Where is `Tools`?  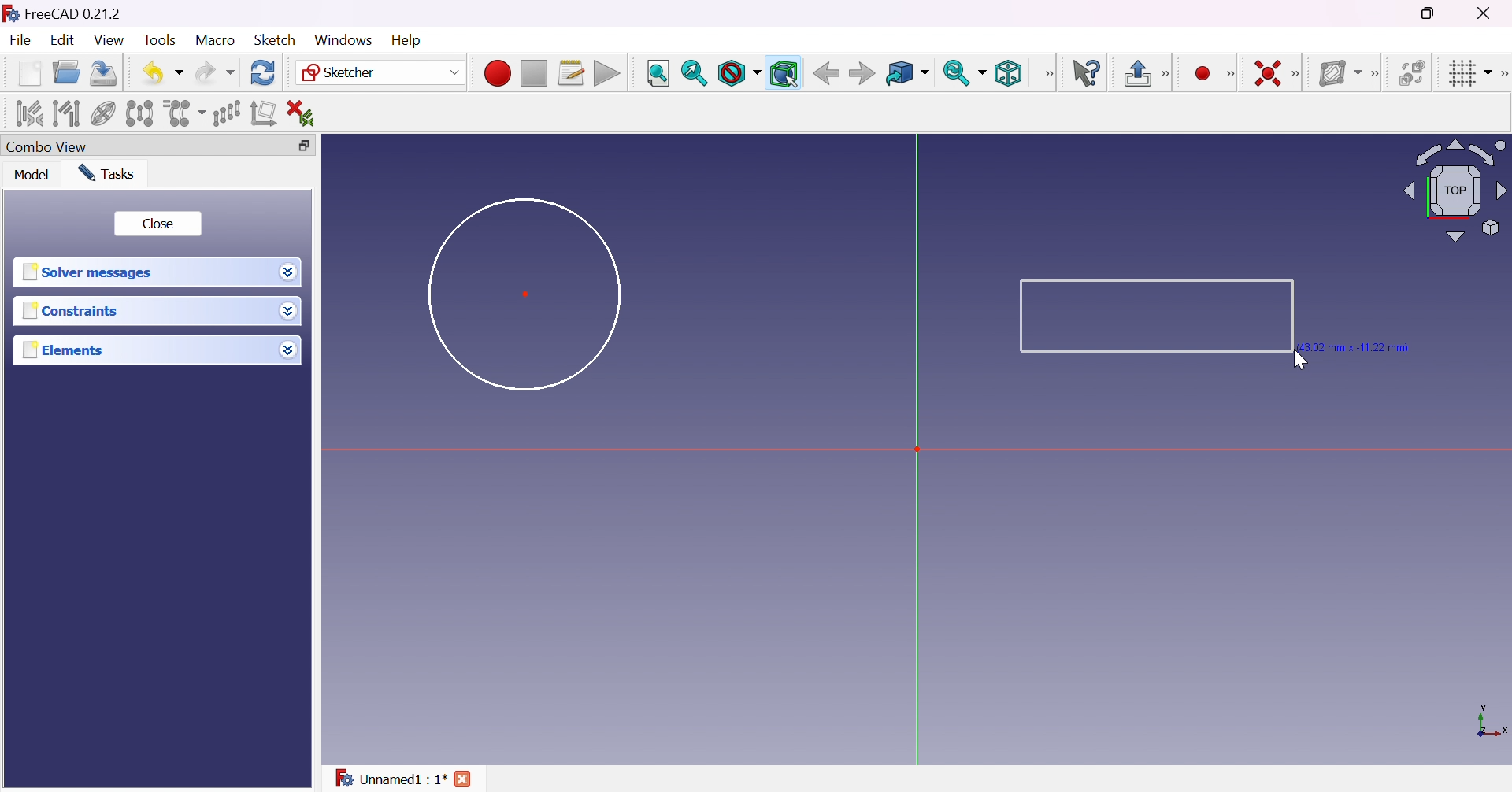 Tools is located at coordinates (161, 40).